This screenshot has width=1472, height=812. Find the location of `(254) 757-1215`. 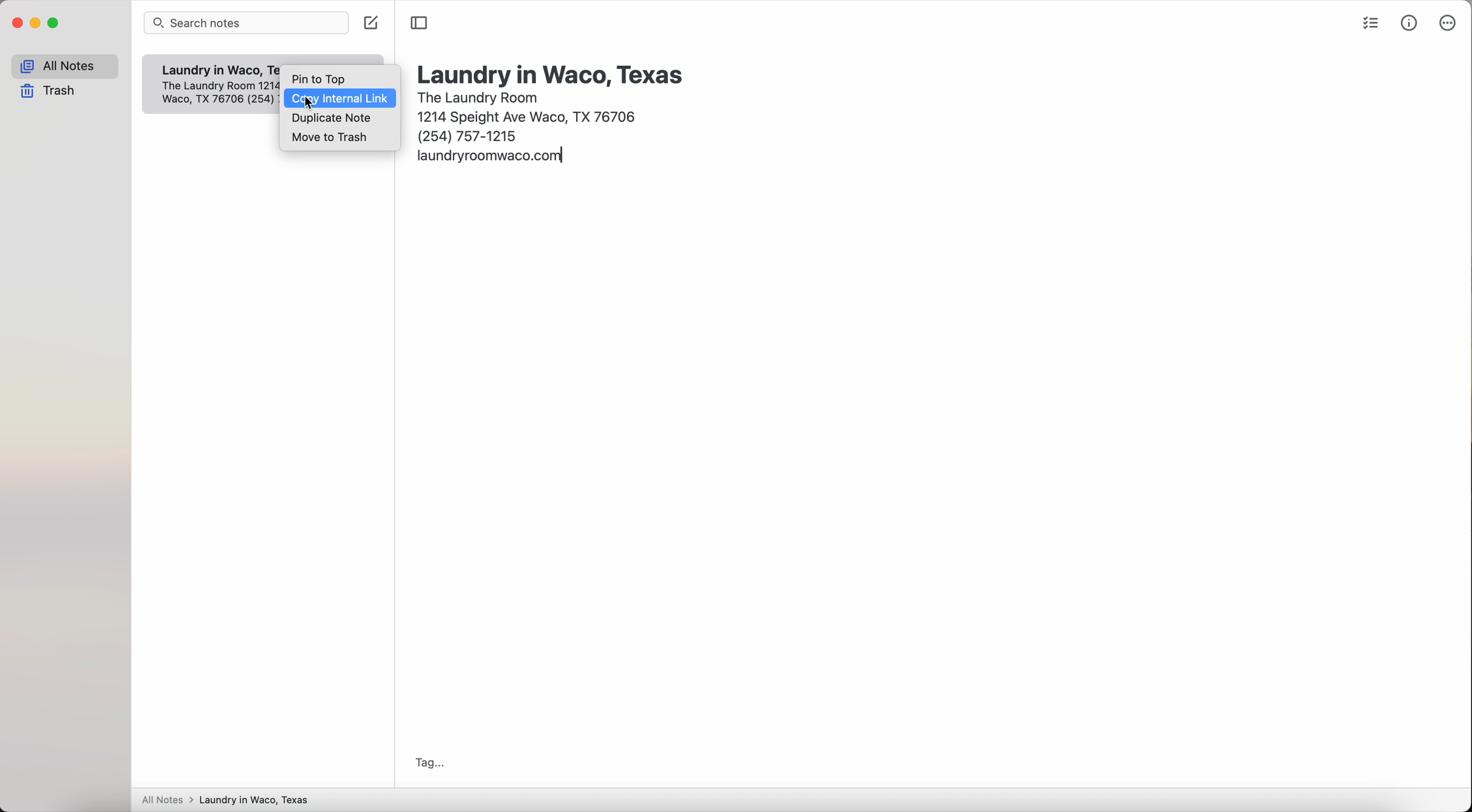

(254) 757-1215 is located at coordinates (469, 135).